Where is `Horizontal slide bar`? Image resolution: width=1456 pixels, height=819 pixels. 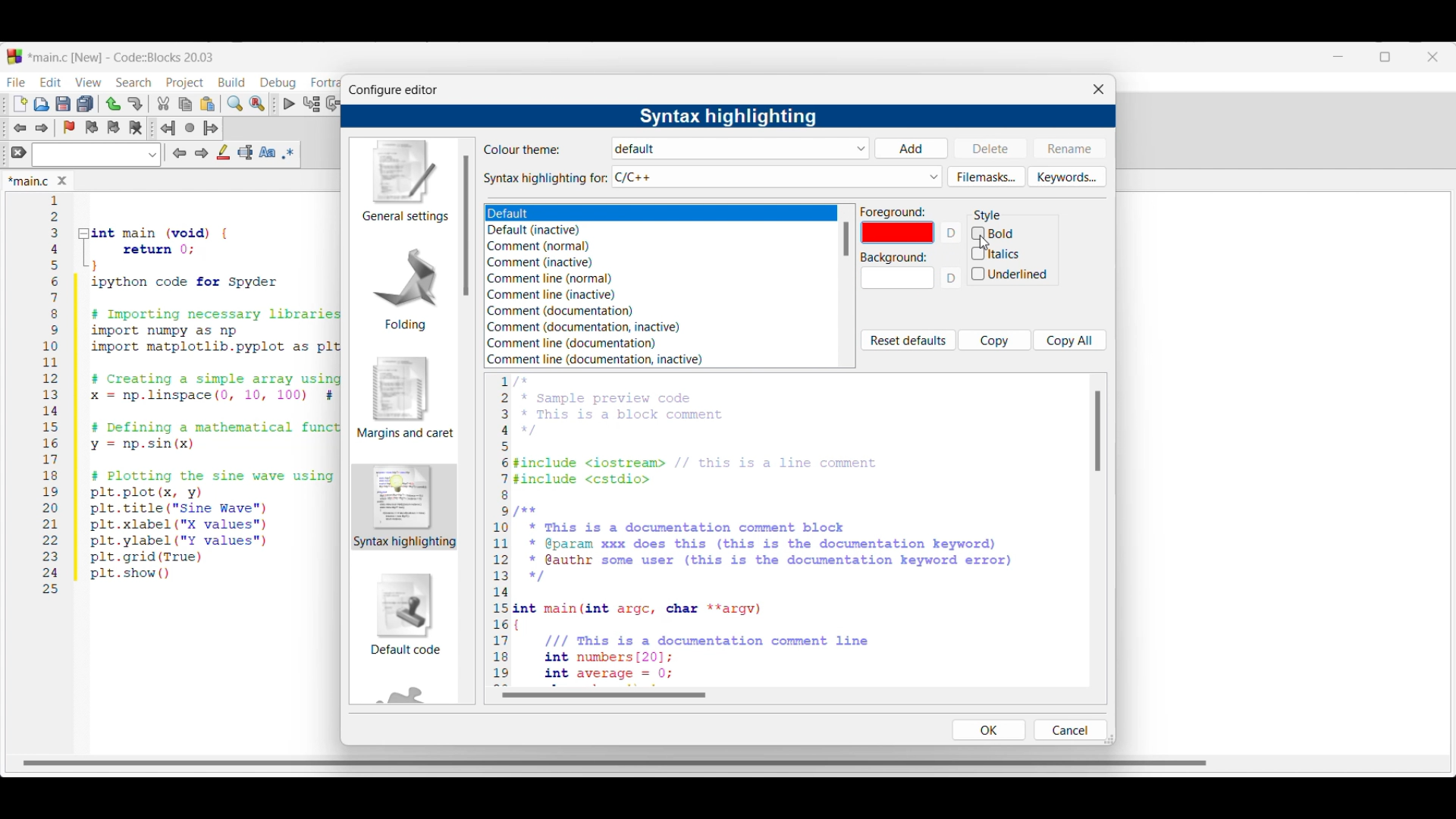
Horizontal slide bar is located at coordinates (604, 695).